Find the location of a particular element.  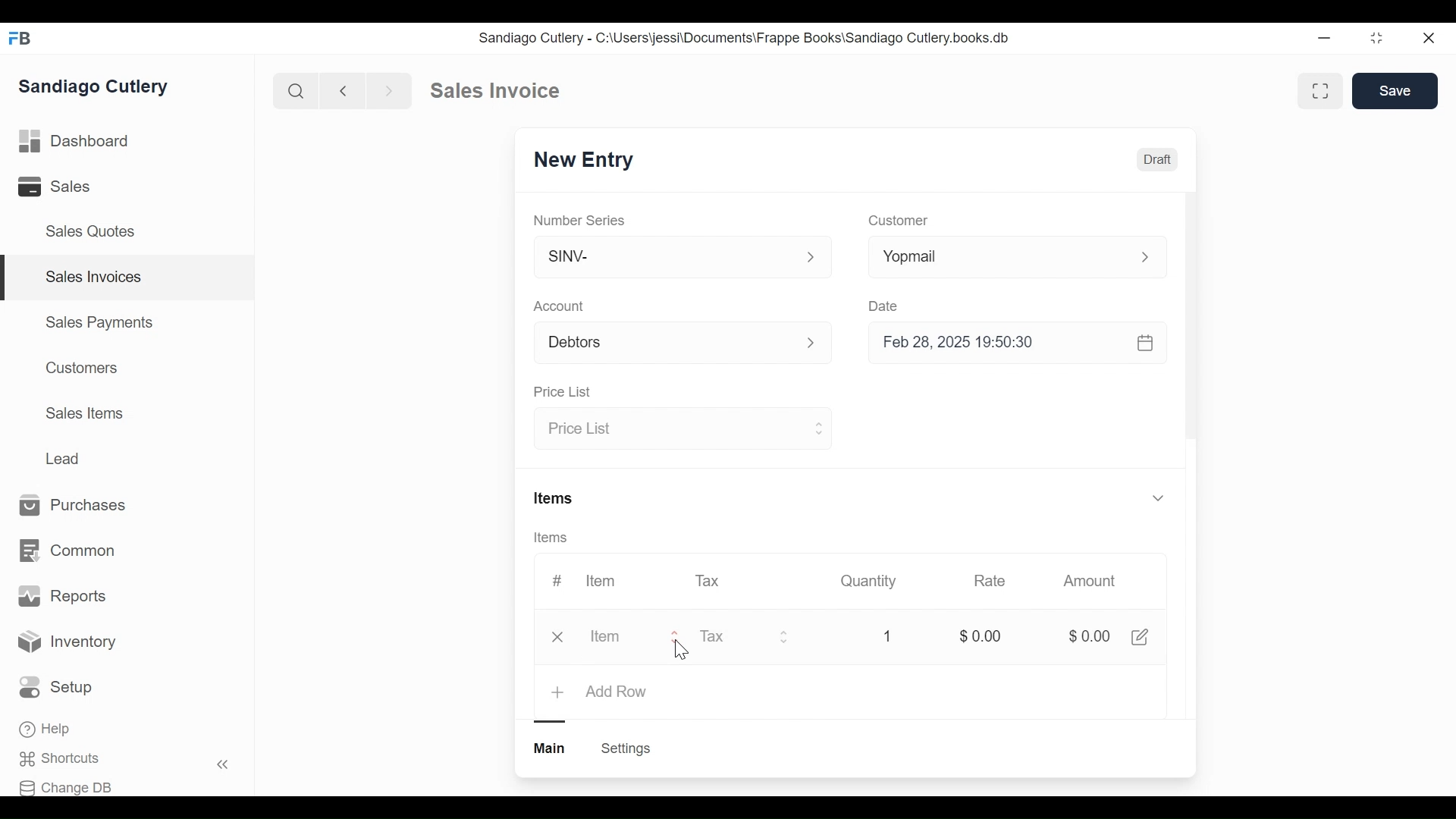

Dashboard is located at coordinates (75, 140).